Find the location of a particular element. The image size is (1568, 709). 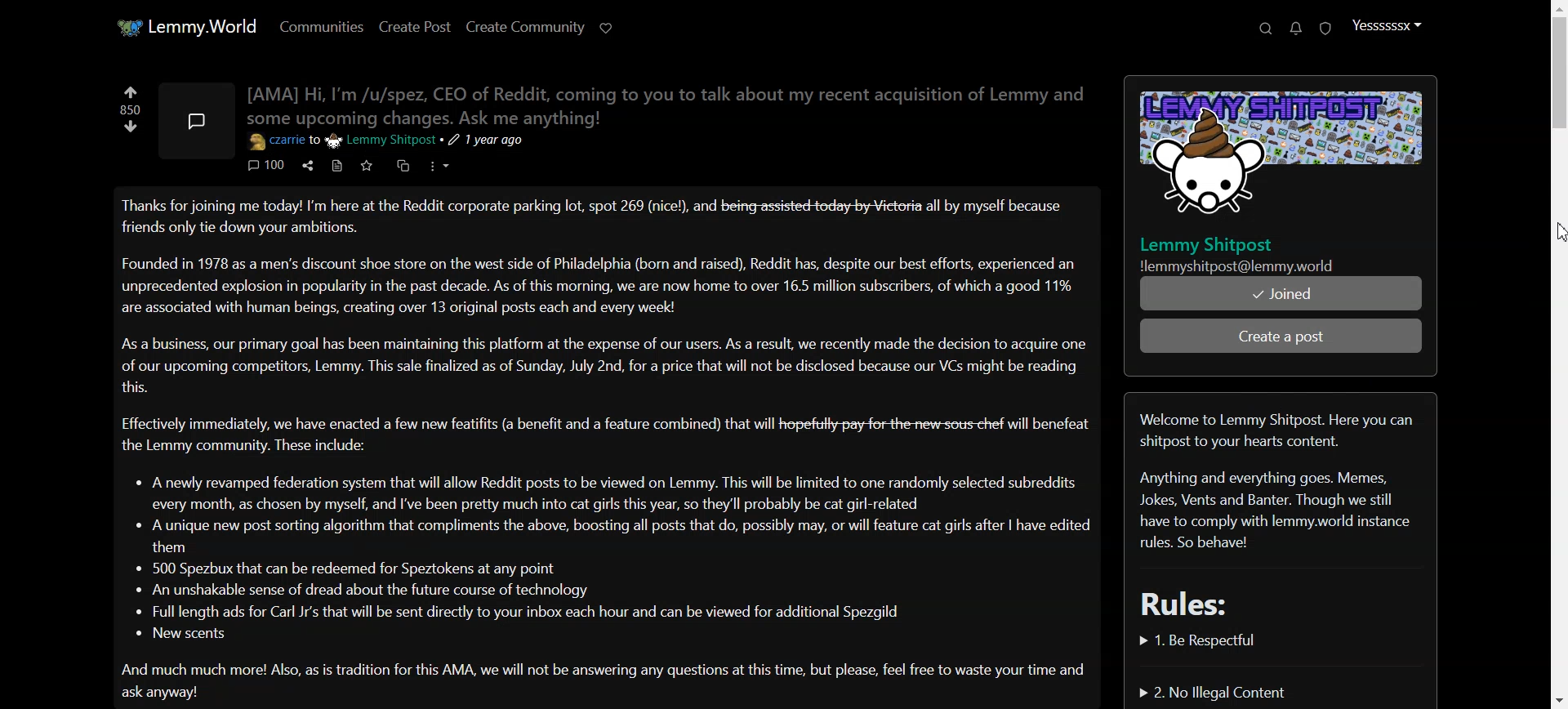

Comment is located at coordinates (267, 165).